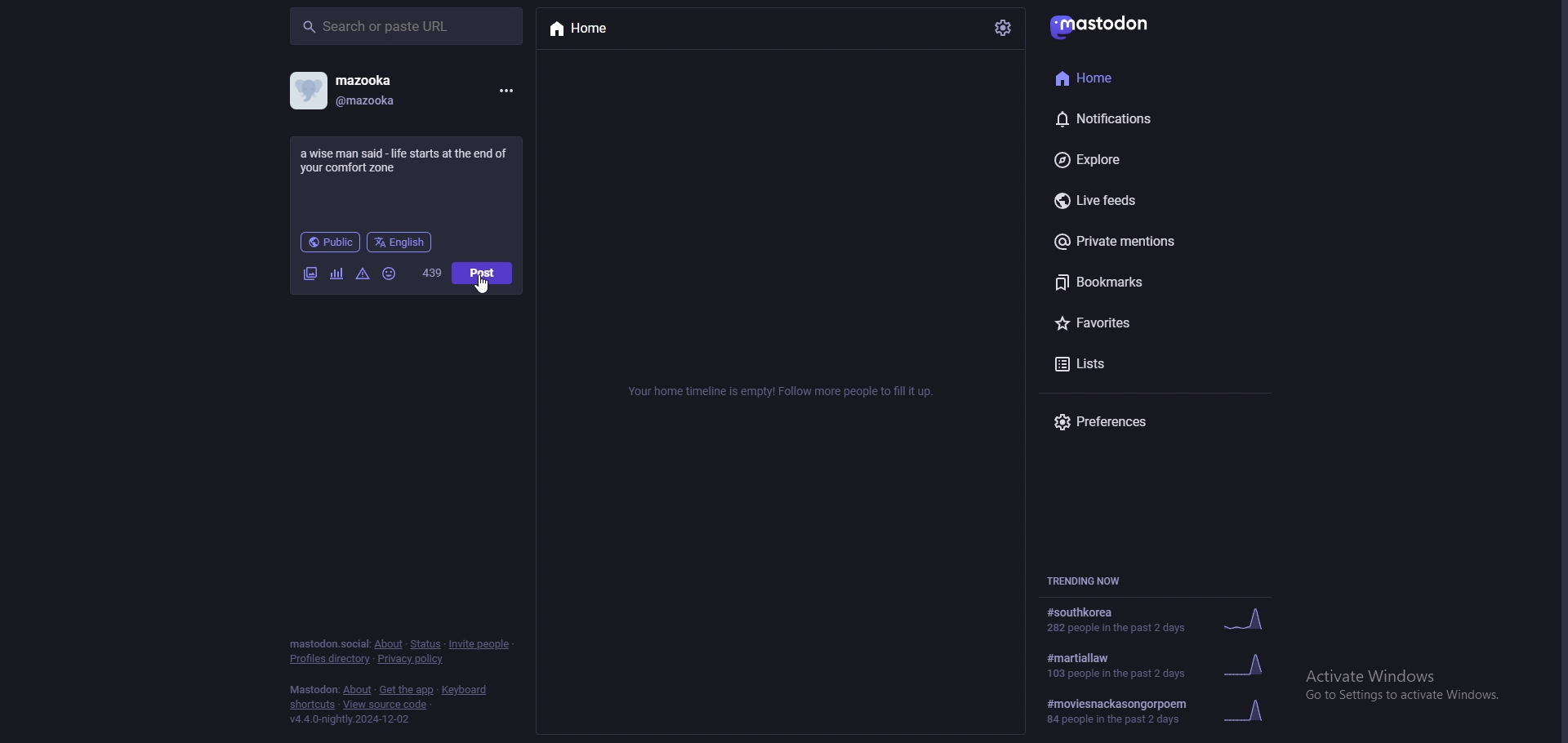 The height and width of the screenshot is (743, 1568). What do you see at coordinates (402, 81) in the screenshot?
I see `mazooka` at bounding box center [402, 81].